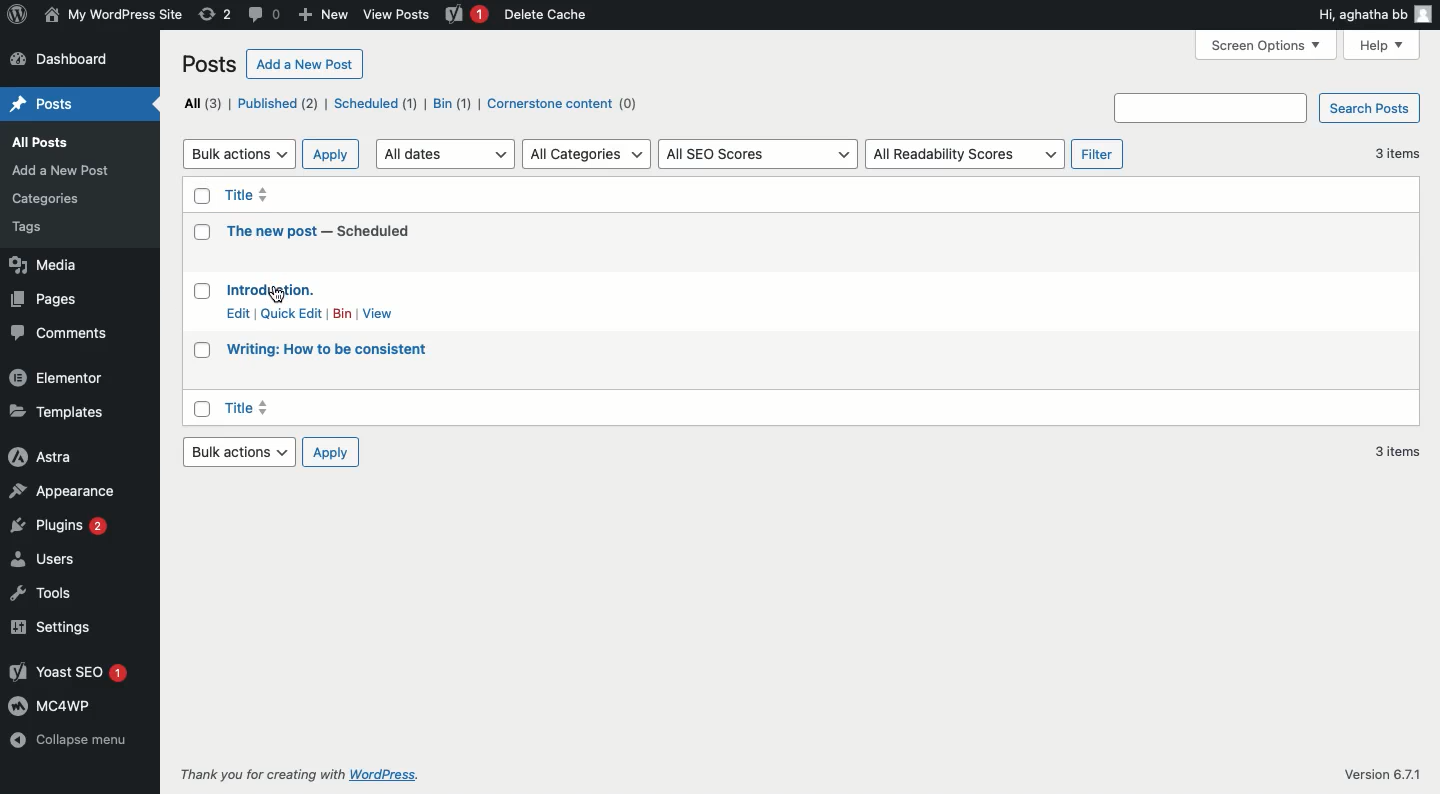 The image size is (1440, 794). Describe the element at coordinates (344, 312) in the screenshot. I see `Bin` at that location.